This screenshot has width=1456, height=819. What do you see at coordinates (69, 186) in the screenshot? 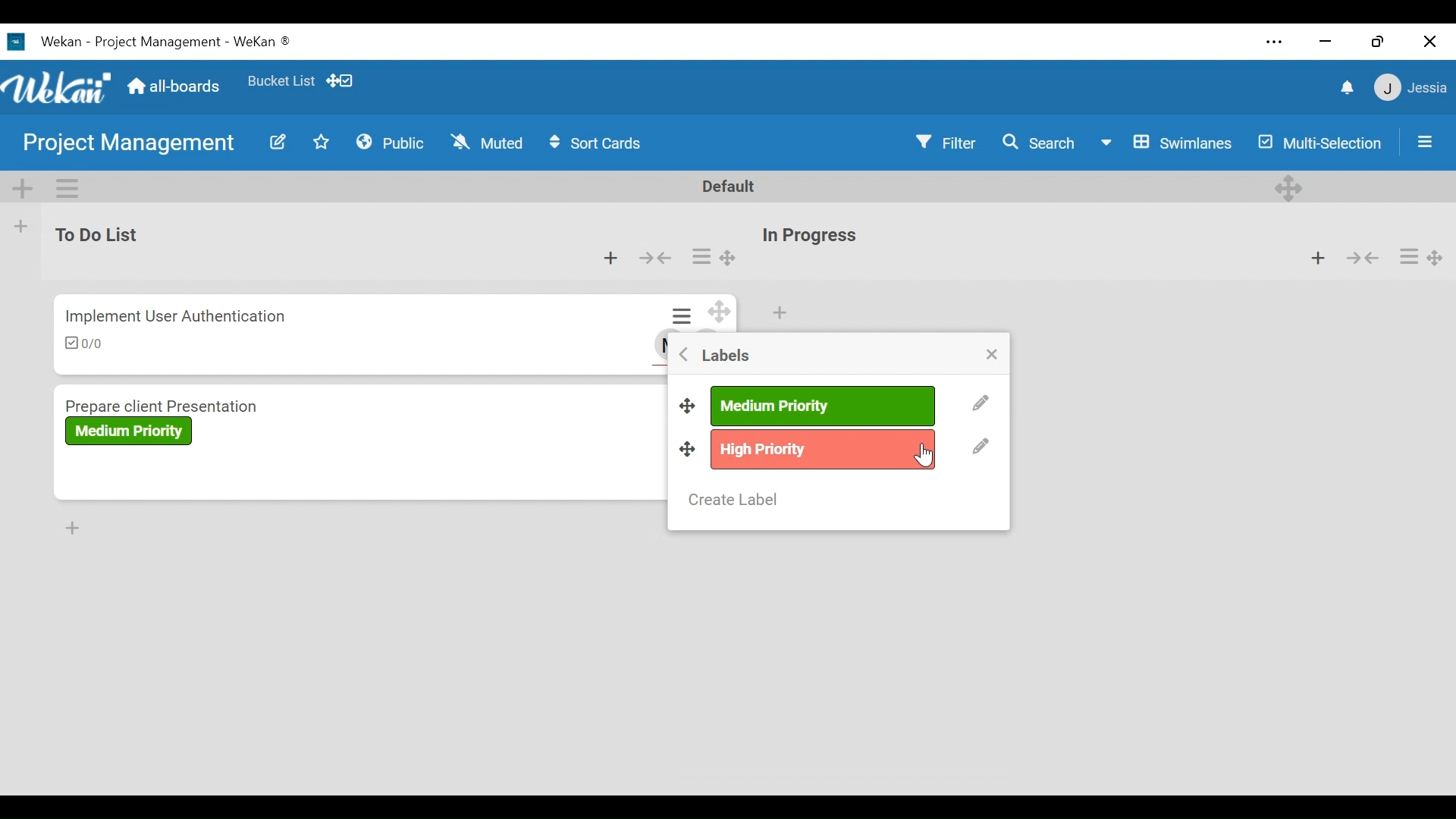
I see `Swimlane actions` at bounding box center [69, 186].